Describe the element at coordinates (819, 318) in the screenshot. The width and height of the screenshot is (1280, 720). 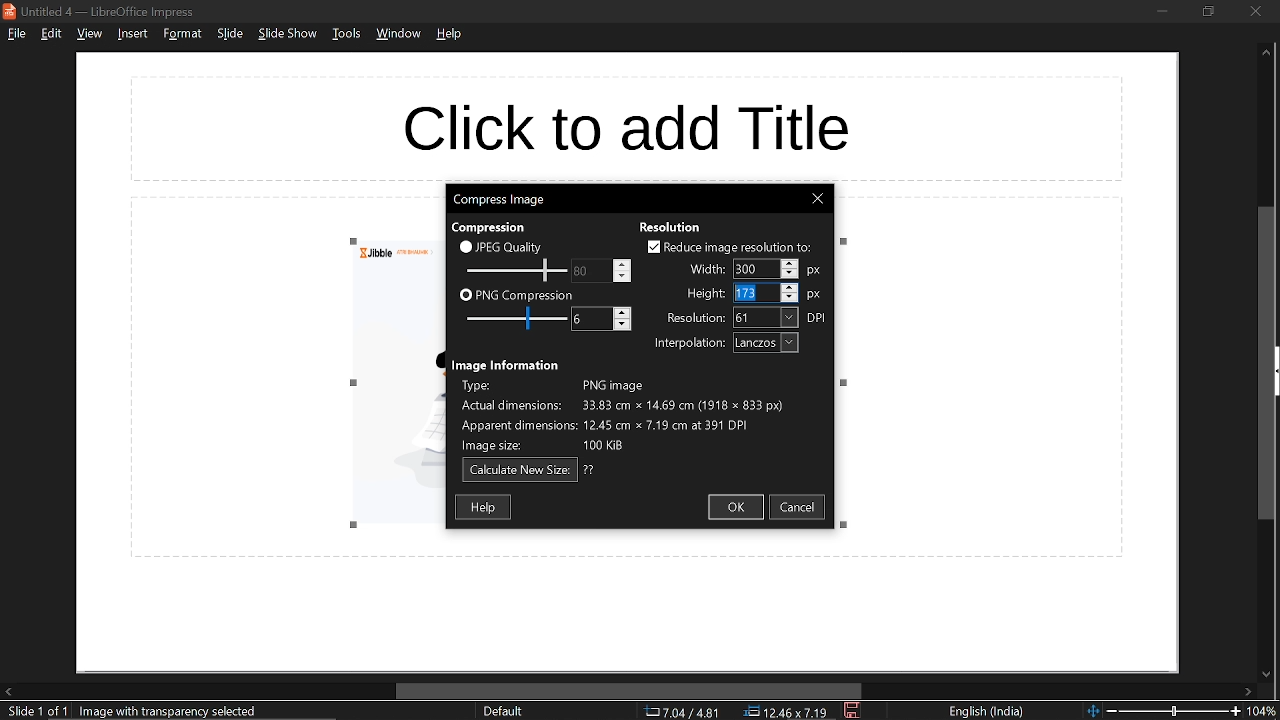
I see `dpi` at that location.